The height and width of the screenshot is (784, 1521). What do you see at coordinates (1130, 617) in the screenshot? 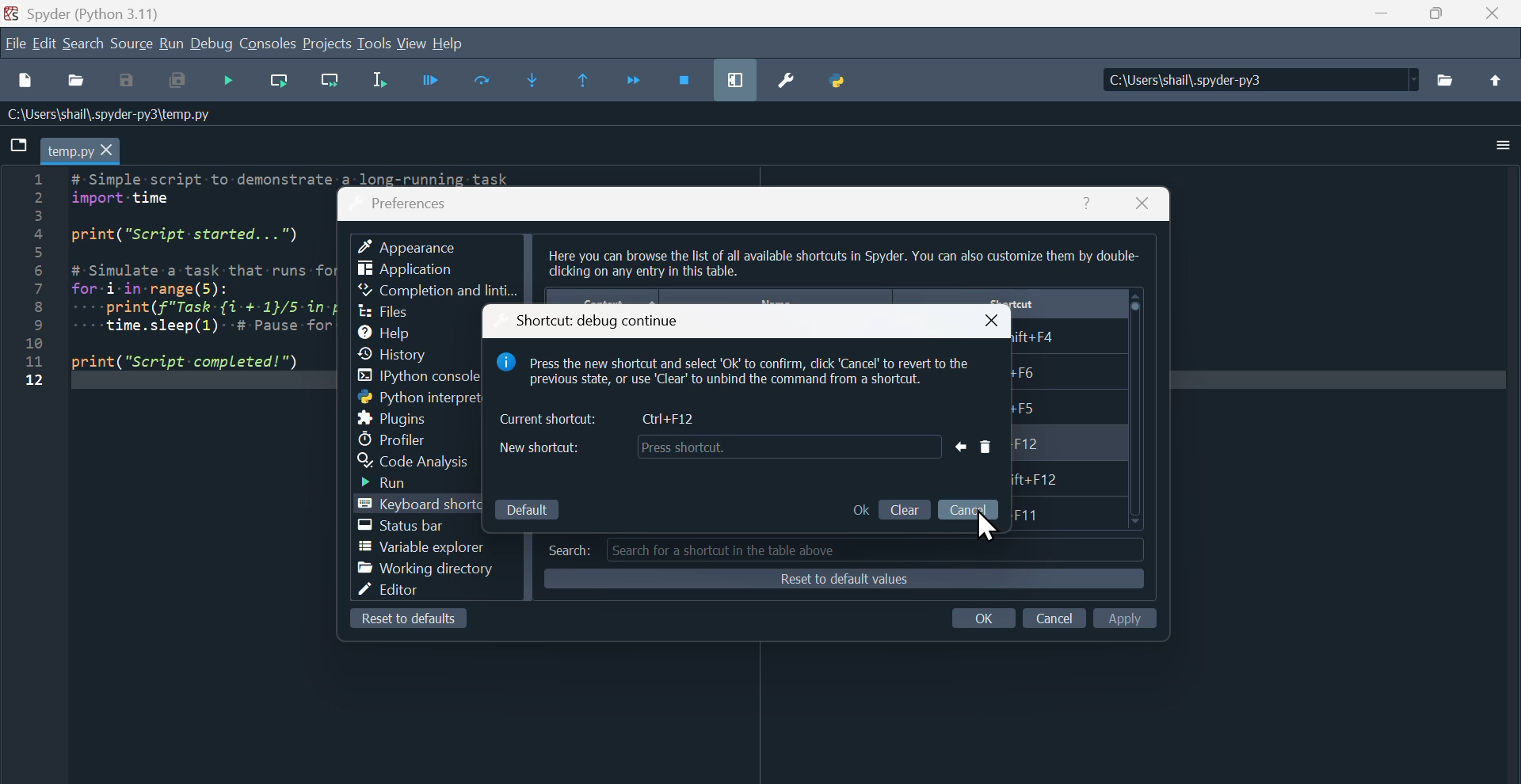
I see `` at bounding box center [1130, 617].